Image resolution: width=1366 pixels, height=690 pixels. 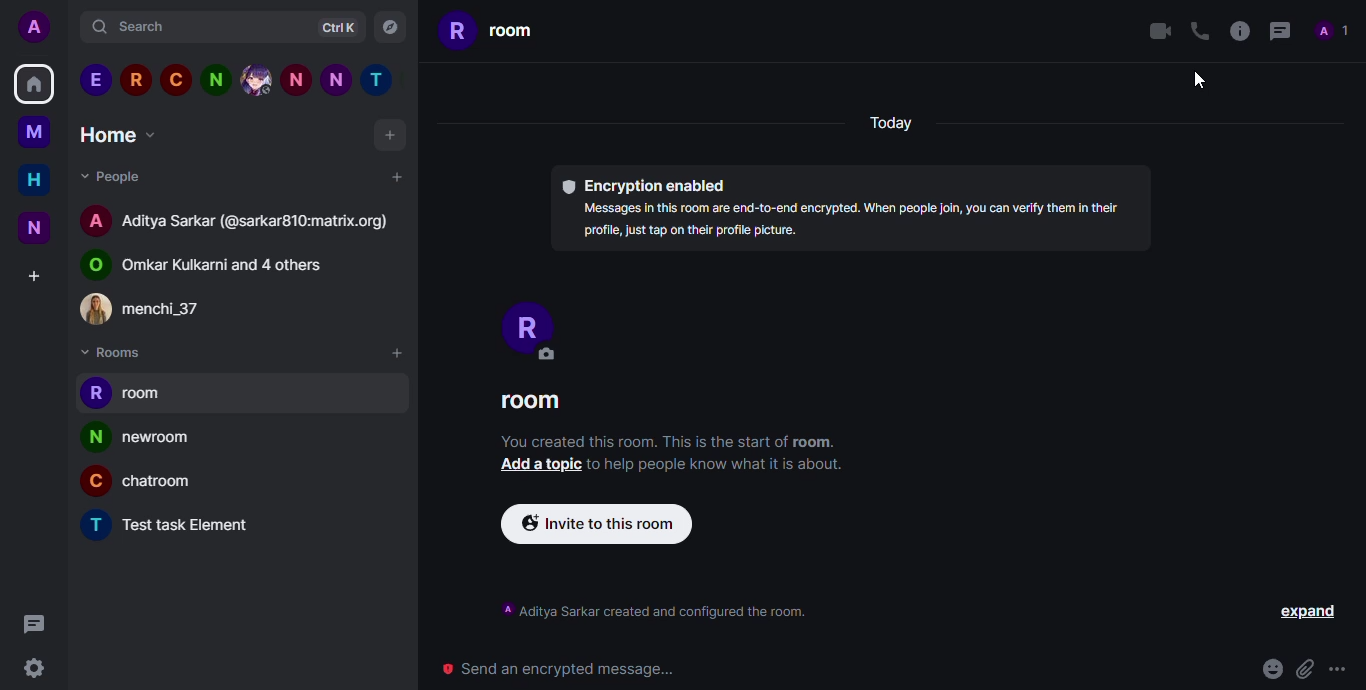 I want to click on Room, so click(x=505, y=32).